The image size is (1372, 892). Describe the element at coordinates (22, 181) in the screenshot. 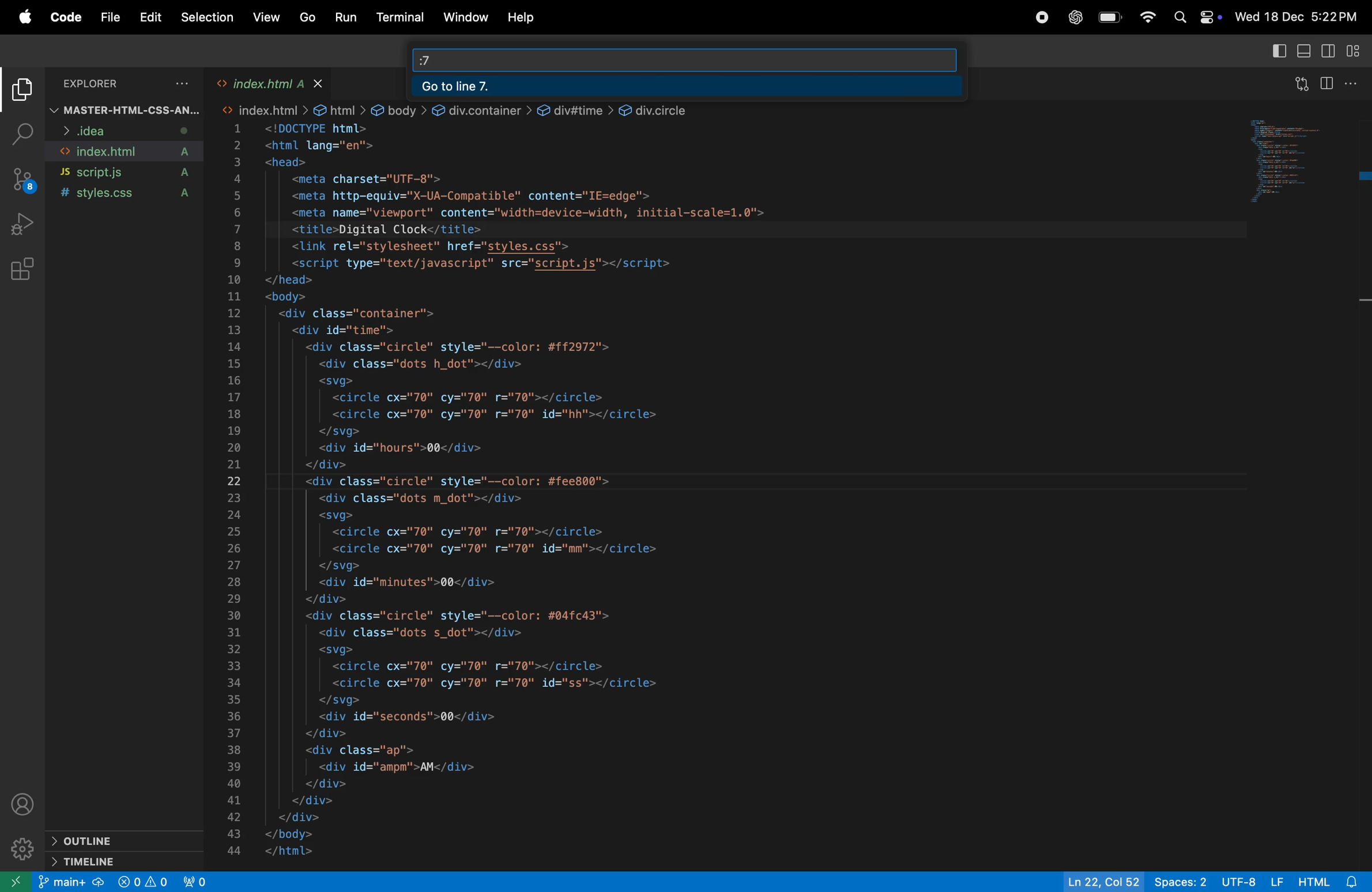

I see `source control` at that location.